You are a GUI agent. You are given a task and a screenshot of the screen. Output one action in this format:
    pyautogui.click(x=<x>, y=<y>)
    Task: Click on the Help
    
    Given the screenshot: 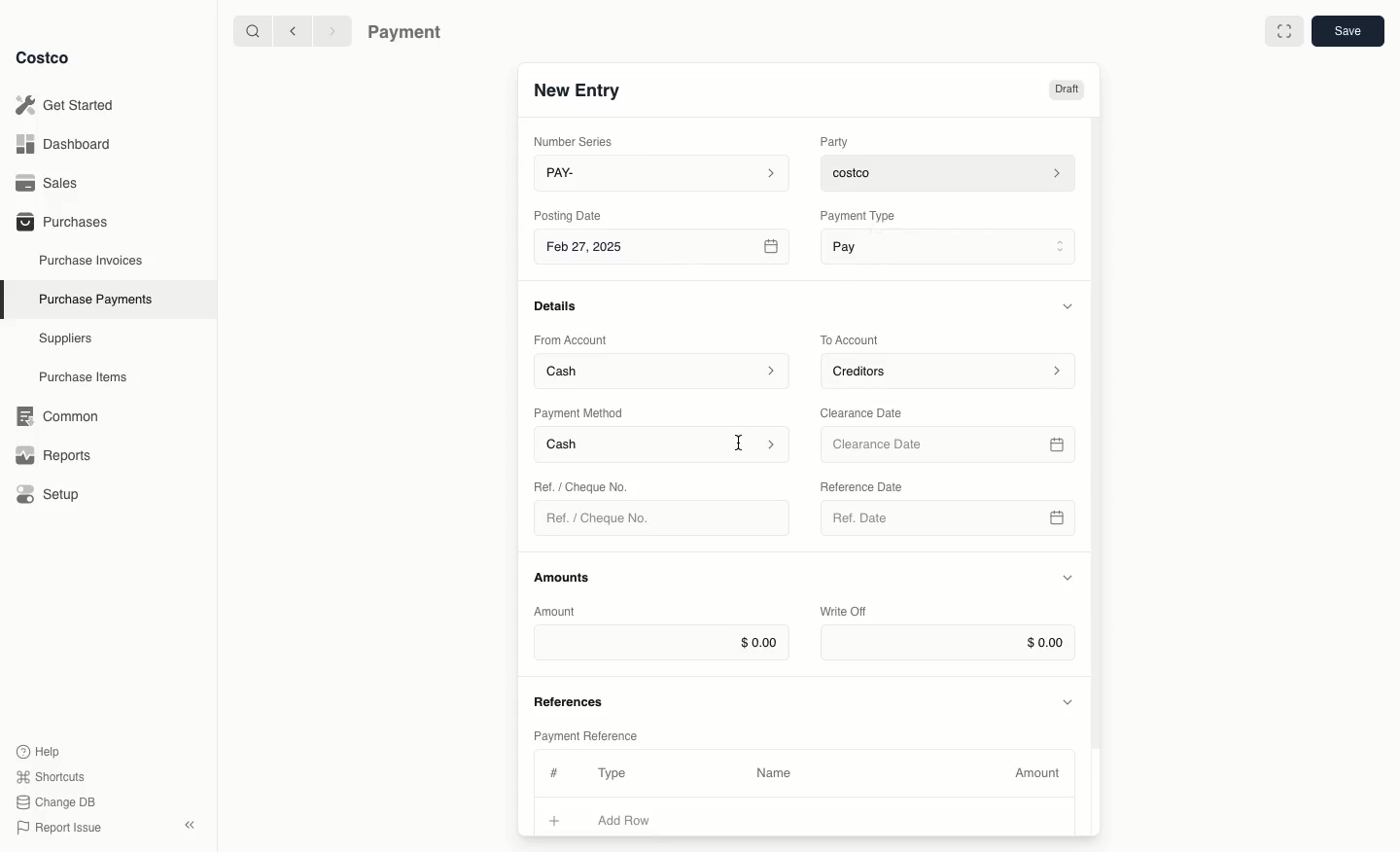 What is the action you would take?
    pyautogui.click(x=38, y=750)
    